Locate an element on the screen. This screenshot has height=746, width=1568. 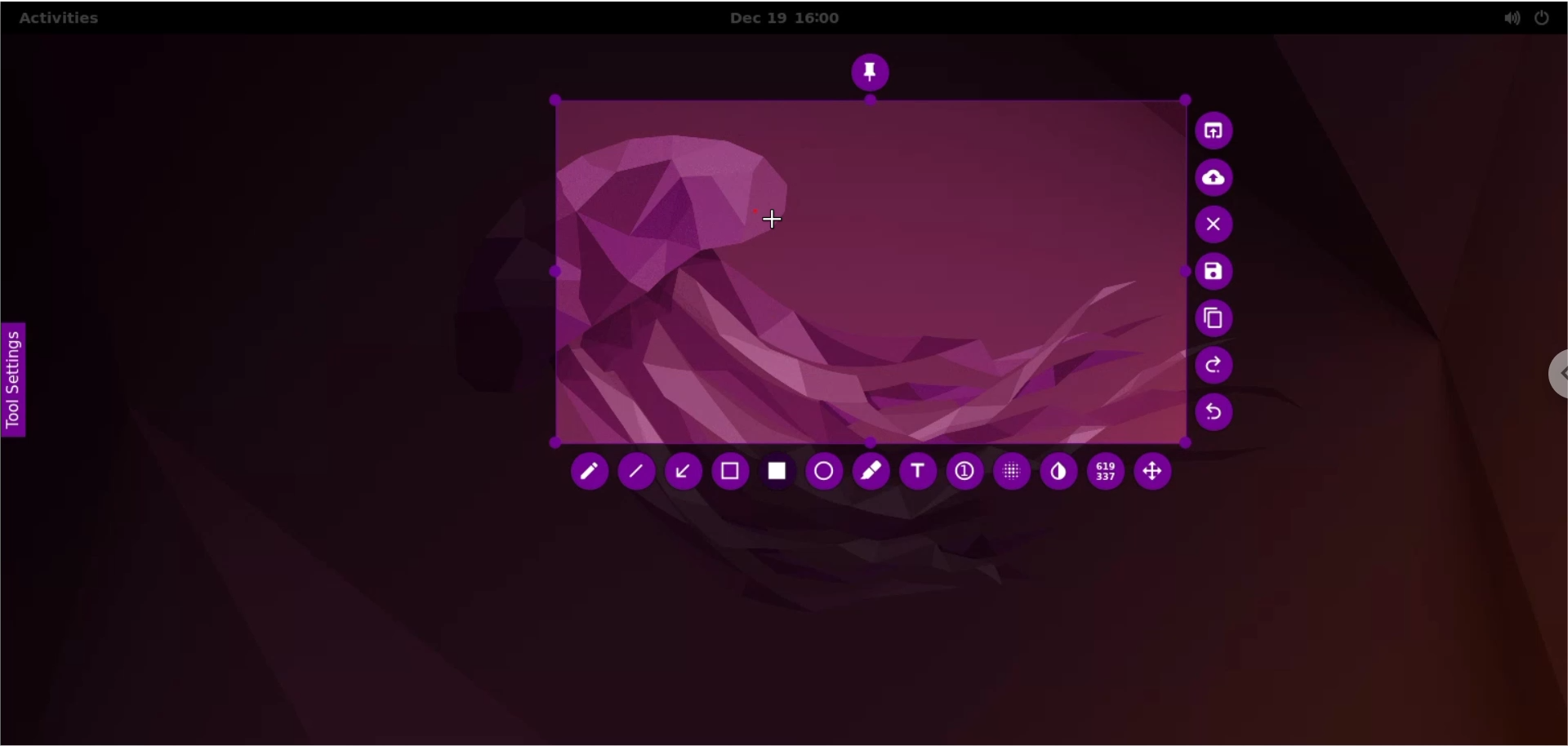
save is located at coordinates (1209, 273).